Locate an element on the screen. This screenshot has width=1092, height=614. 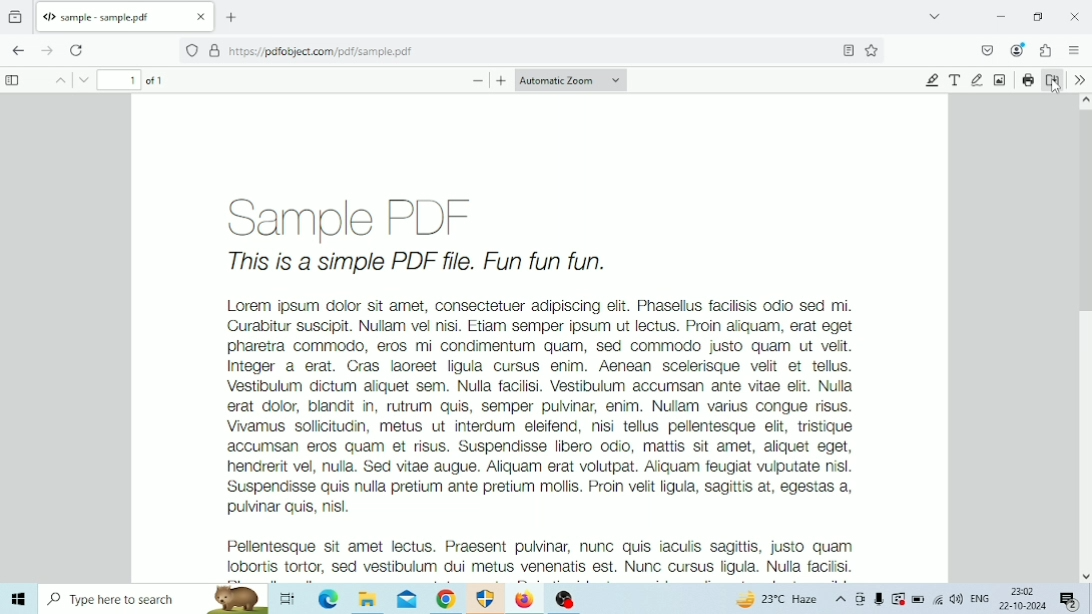
Meet Now is located at coordinates (860, 599).